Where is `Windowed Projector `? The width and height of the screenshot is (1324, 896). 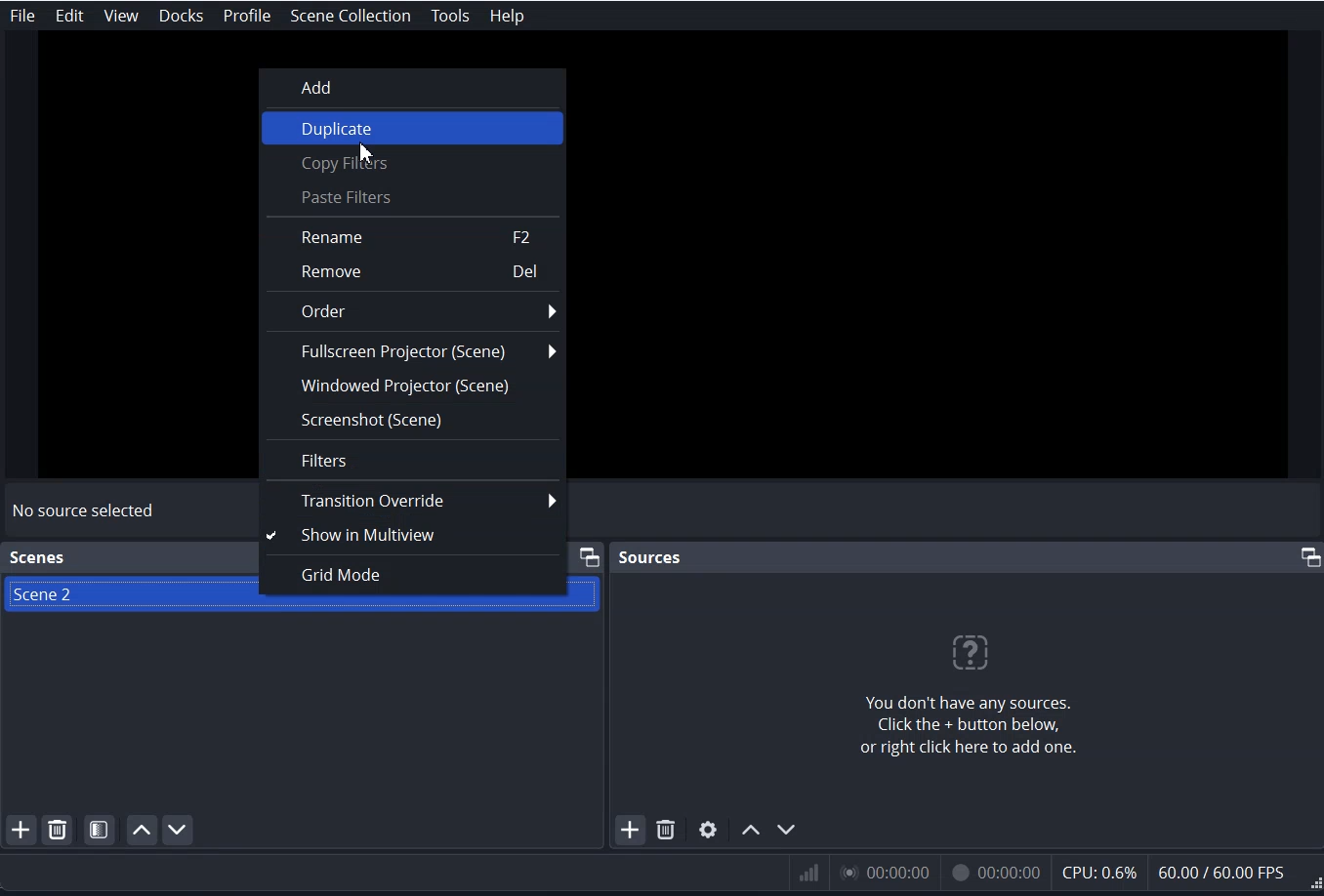 Windowed Projector  is located at coordinates (413, 387).